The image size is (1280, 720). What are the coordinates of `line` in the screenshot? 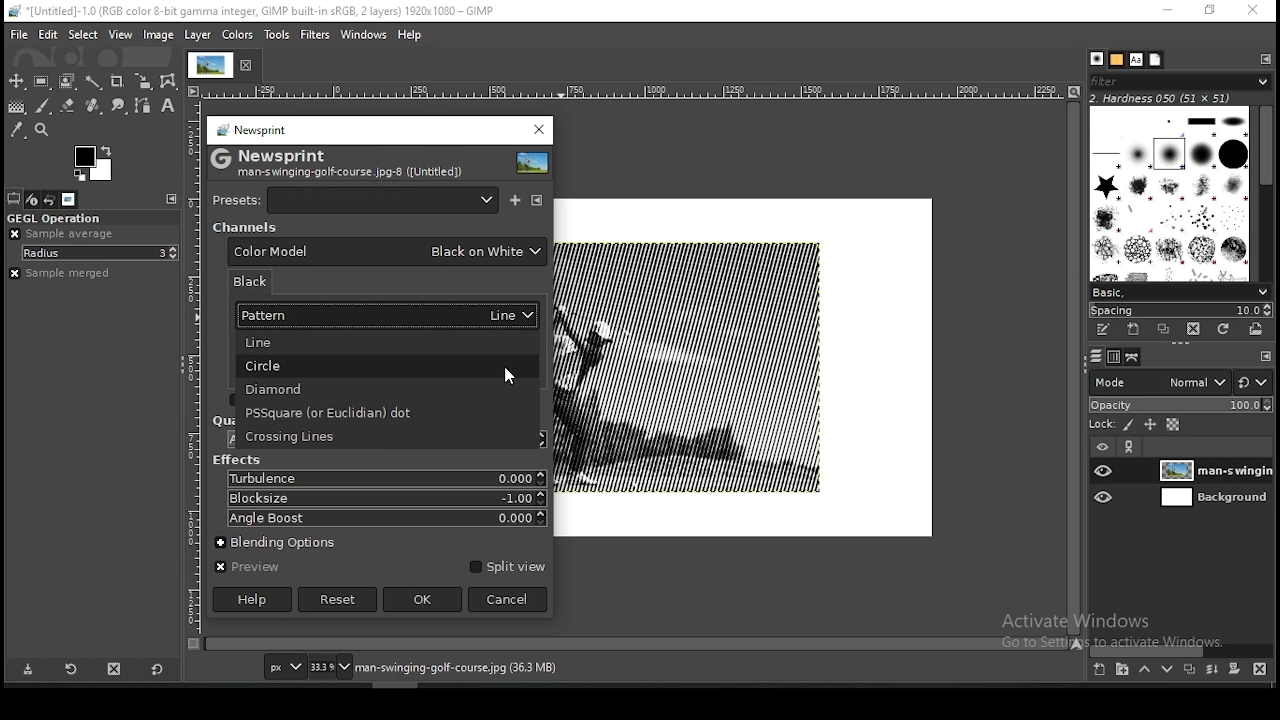 It's located at (388, 341).